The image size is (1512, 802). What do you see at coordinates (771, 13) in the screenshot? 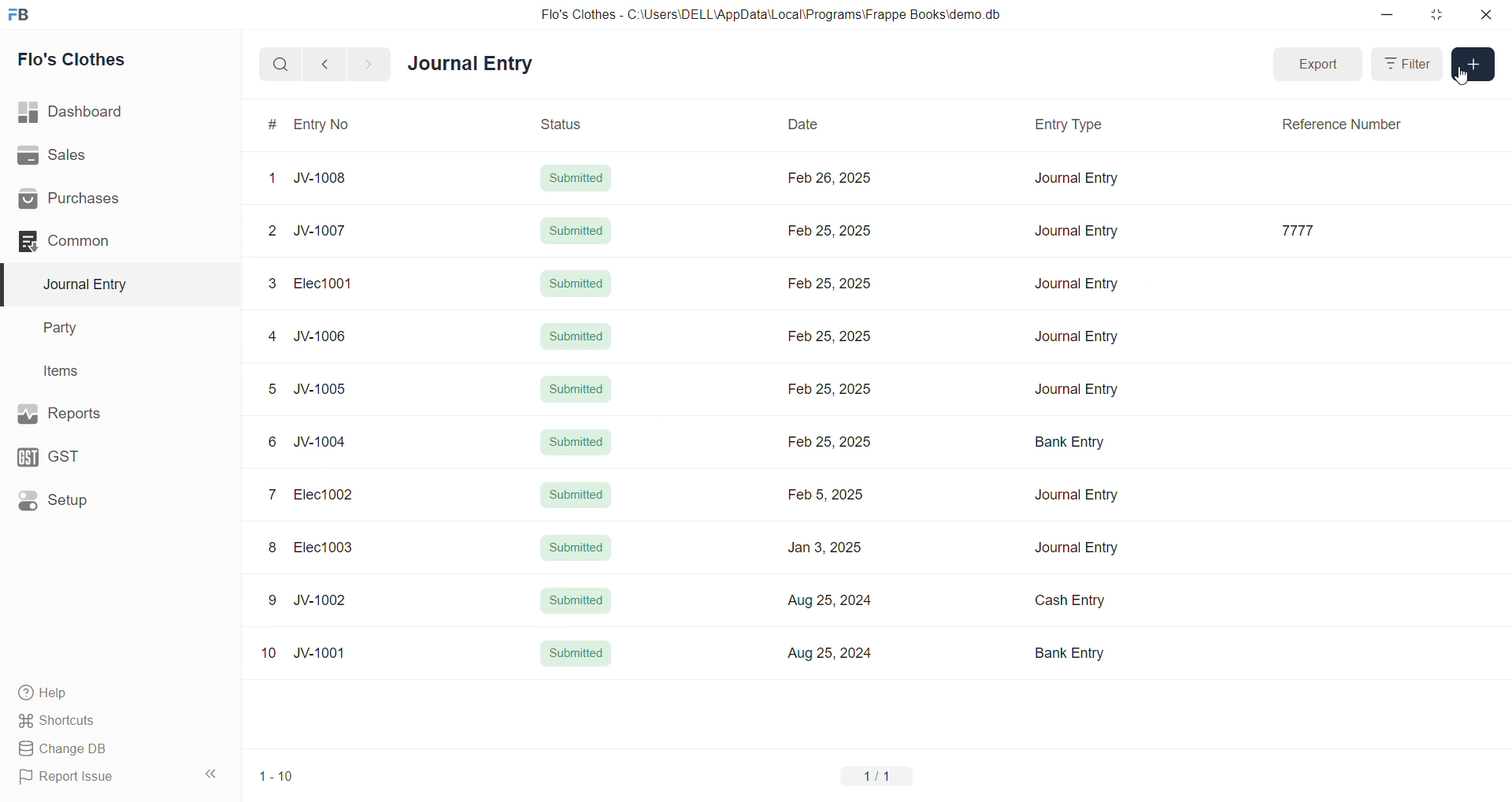
I see `Flo's Clothes - C:\Users\DELL\AppData\Local\Programs\Frappe Books\demo.db` at bounding box center [771, 13].